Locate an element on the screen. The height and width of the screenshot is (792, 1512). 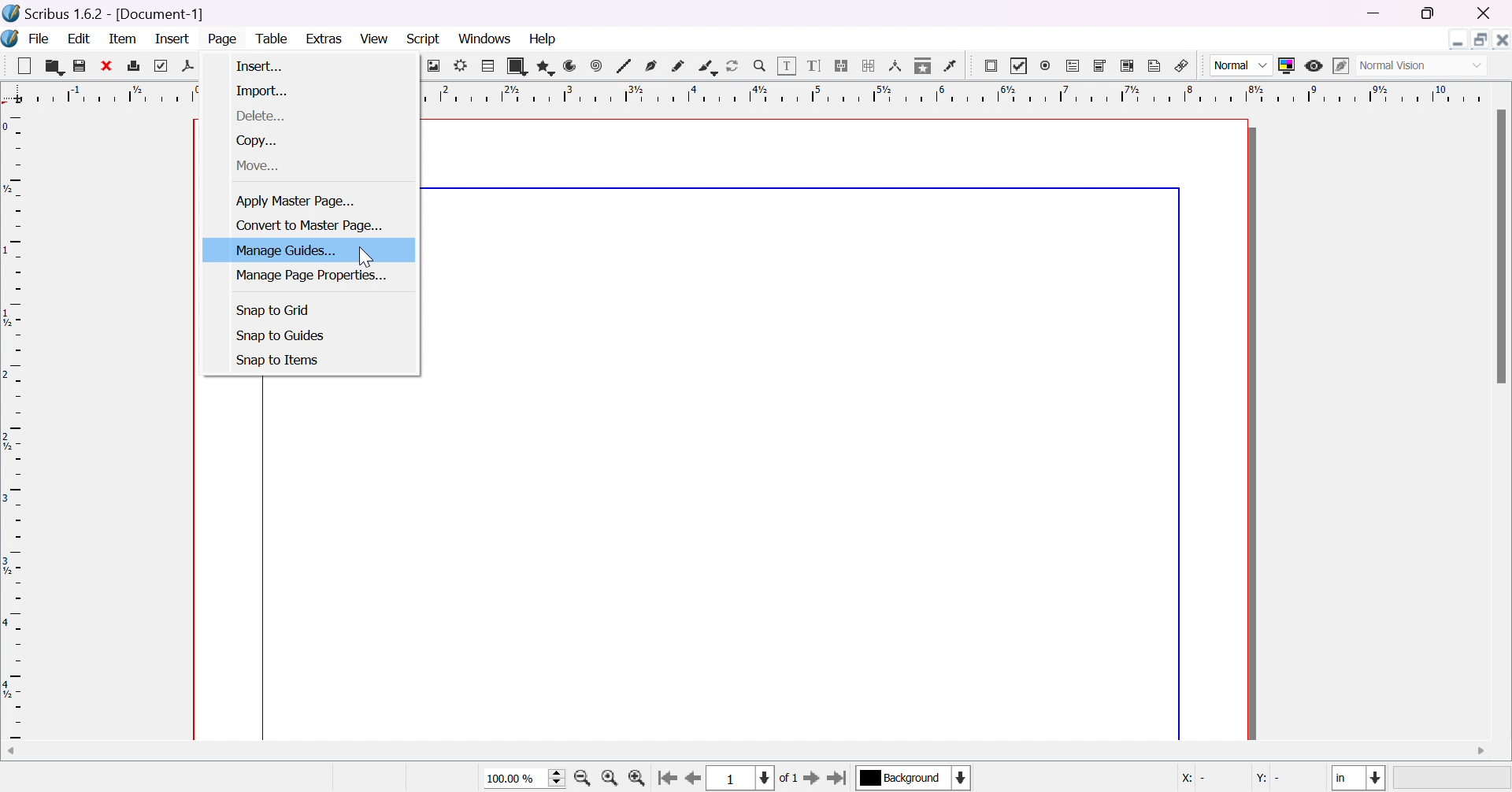
view is located at coordinates (375, 39).